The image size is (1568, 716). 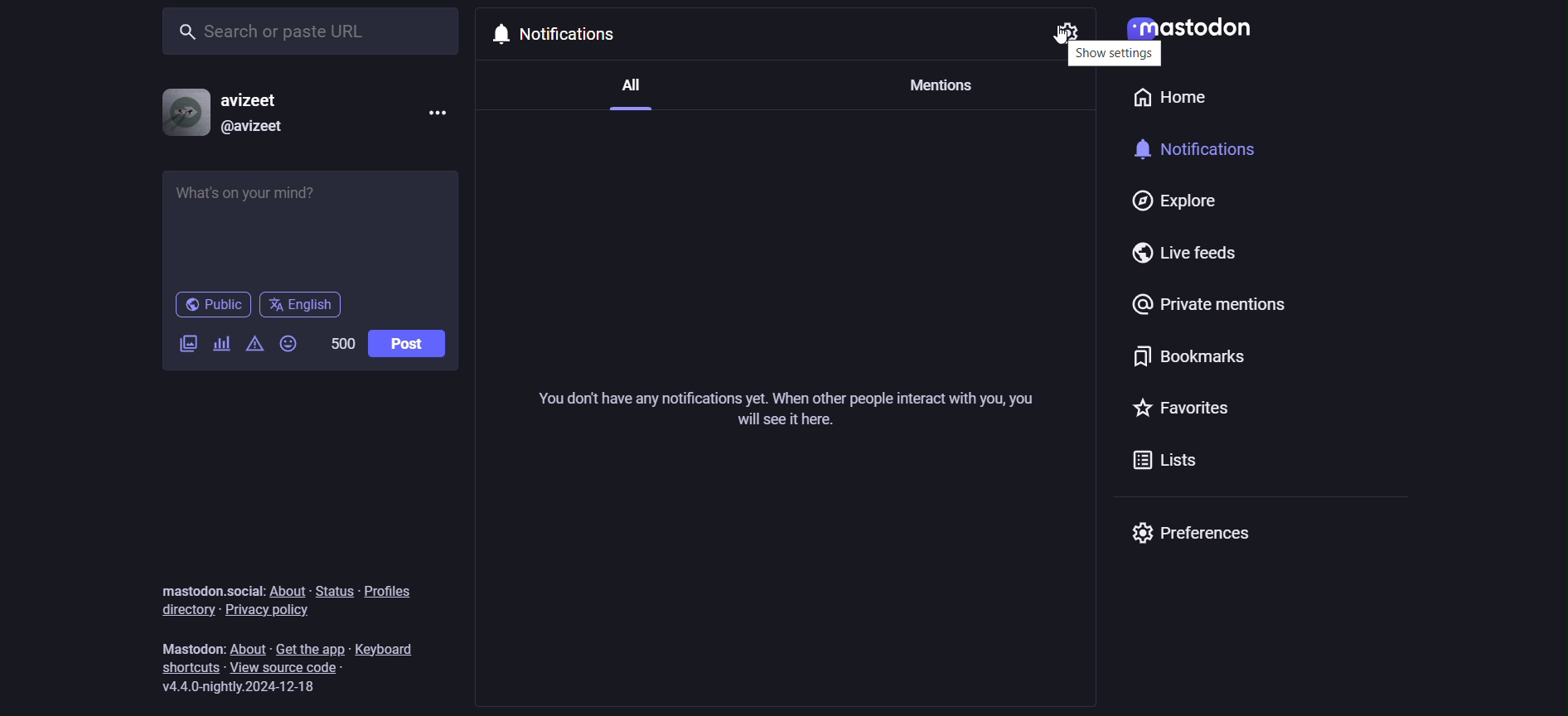 What do you see at coordinates (1194, 258) in the screenshot?
I see `live feeds` at bounding box center [1194, 258].